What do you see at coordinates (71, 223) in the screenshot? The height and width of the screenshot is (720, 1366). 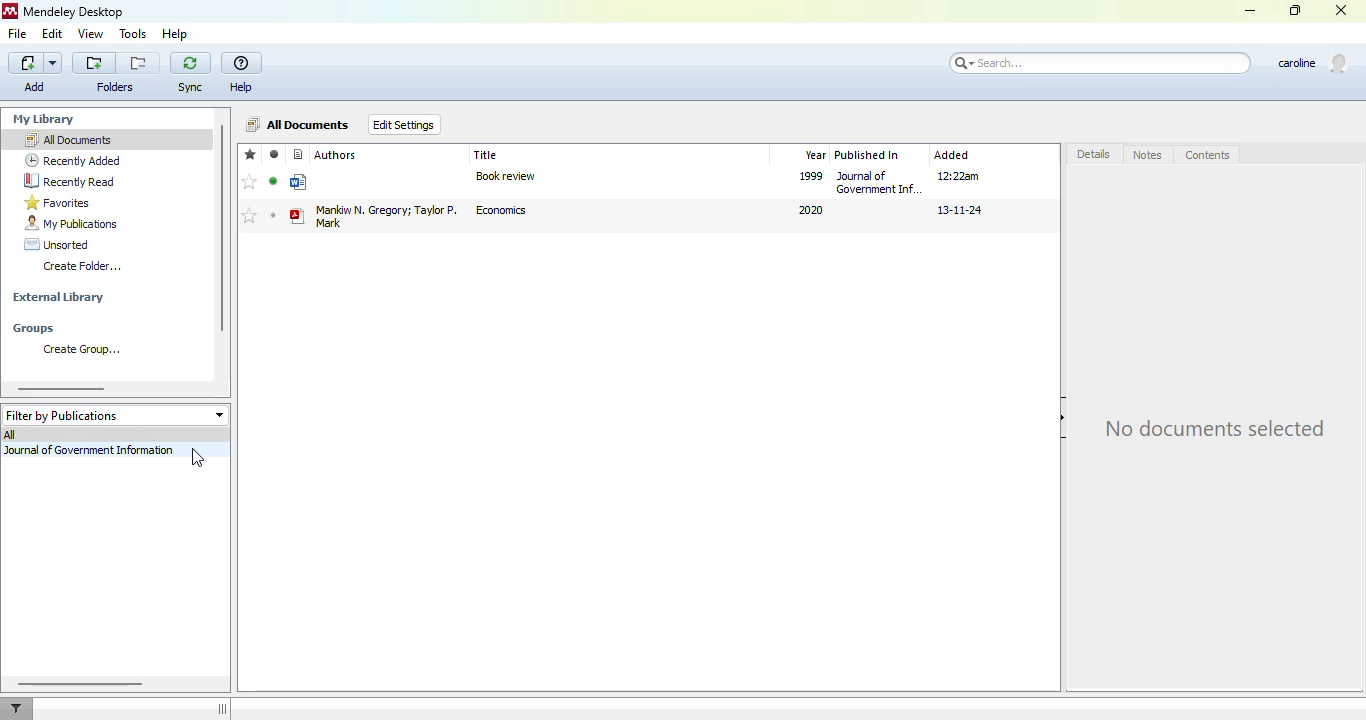 I see `my publications` at bounding box center [71, 223].